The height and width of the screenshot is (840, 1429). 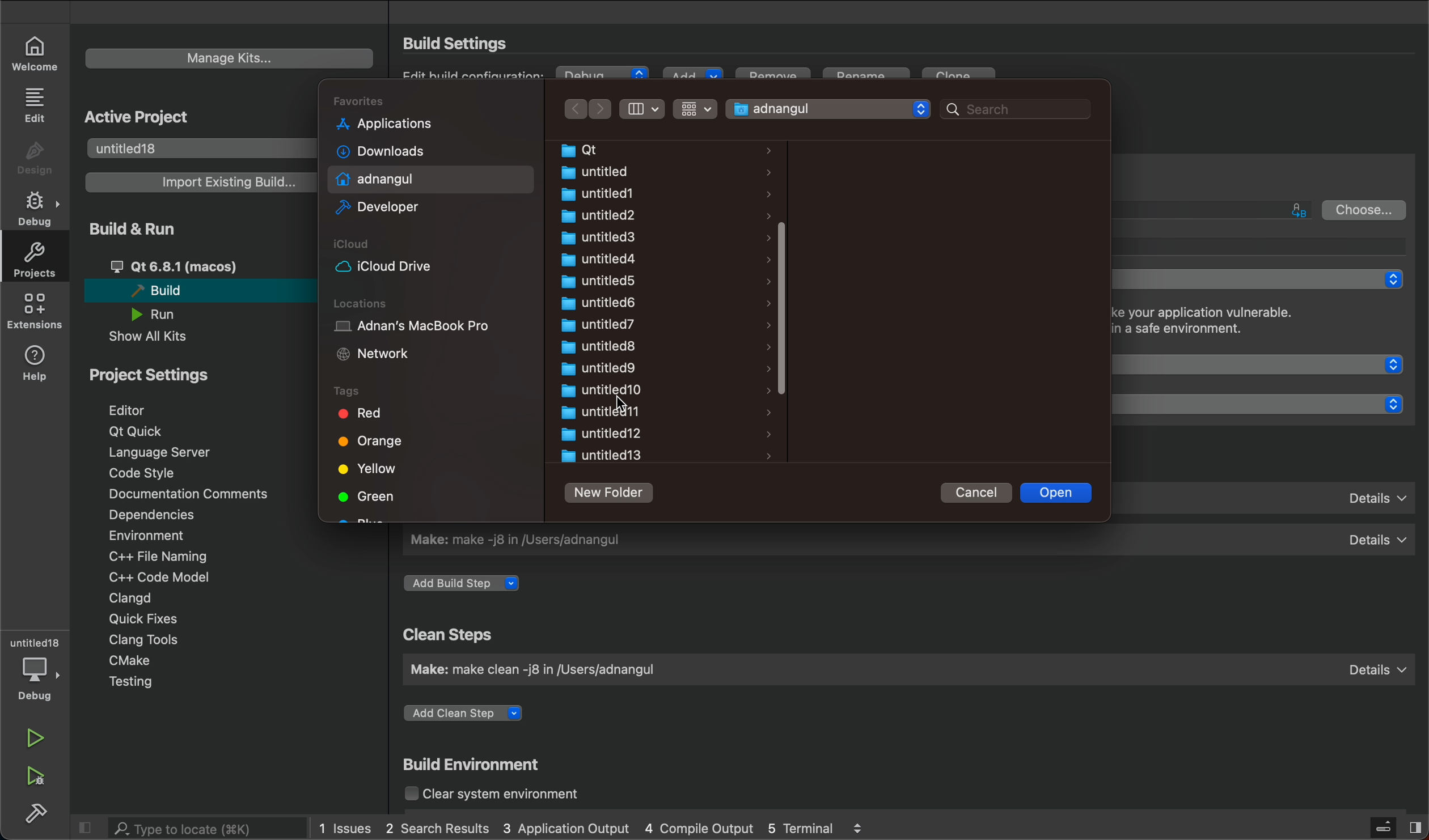 What do you see at coordinates (545, 672) in the screenshot?
I see `Make: make clean -j8 in /Users/adnangul` at bounding box center [545, 672].